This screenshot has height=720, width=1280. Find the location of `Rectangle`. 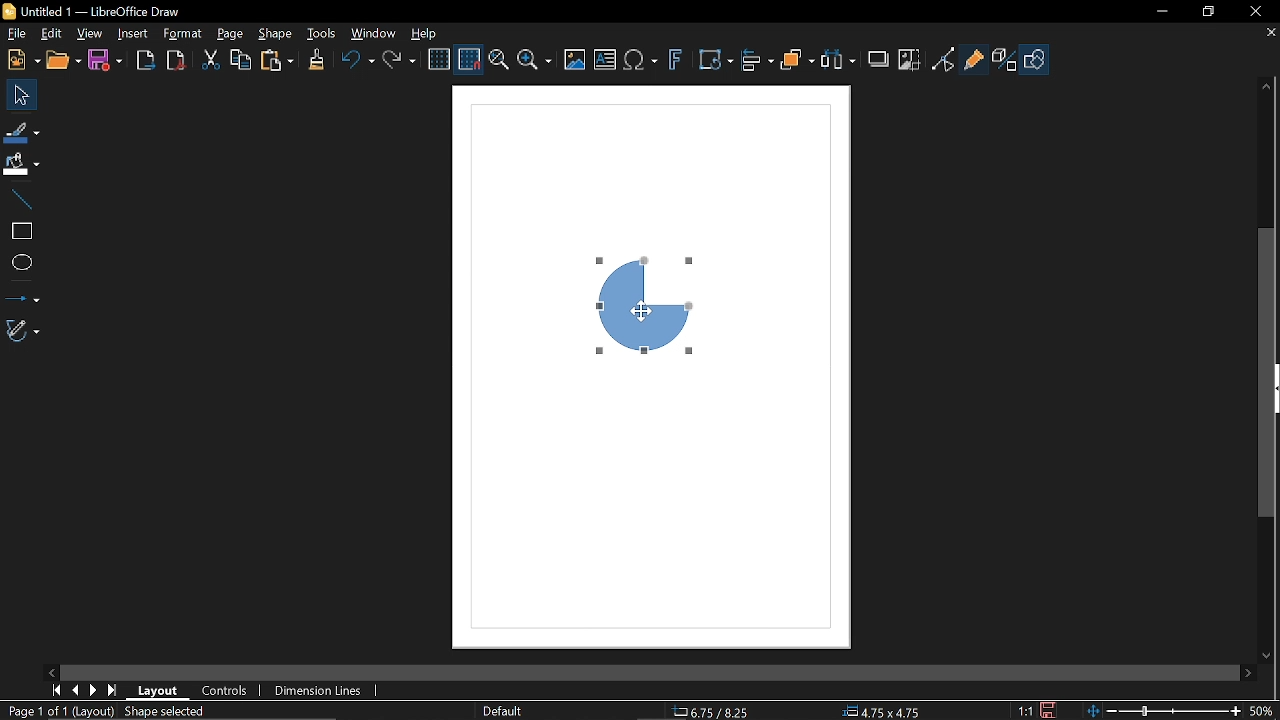

Rectangle is located at coordinates (19, 229).